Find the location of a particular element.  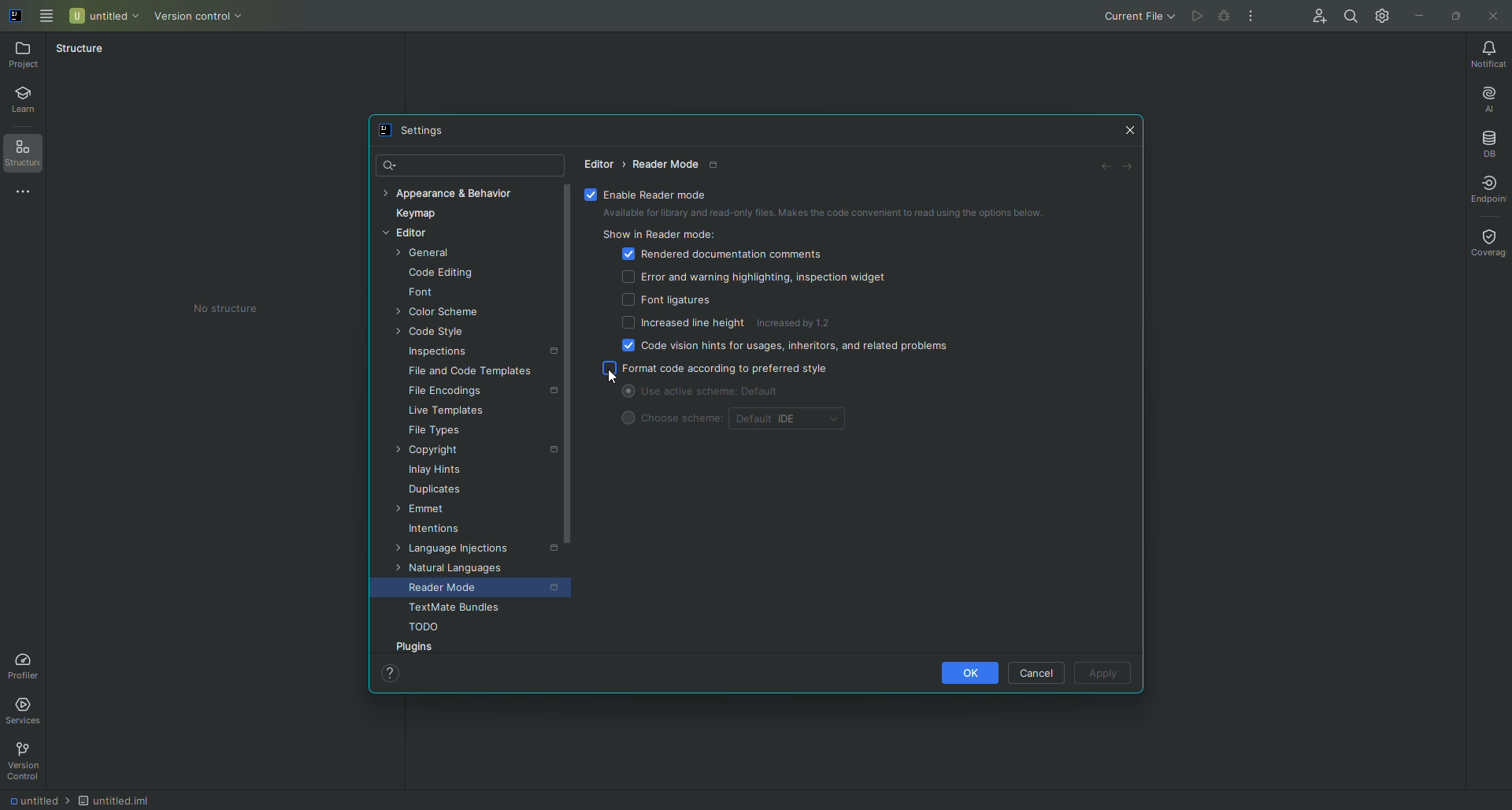

Editor is located at coordinates (402, 236).